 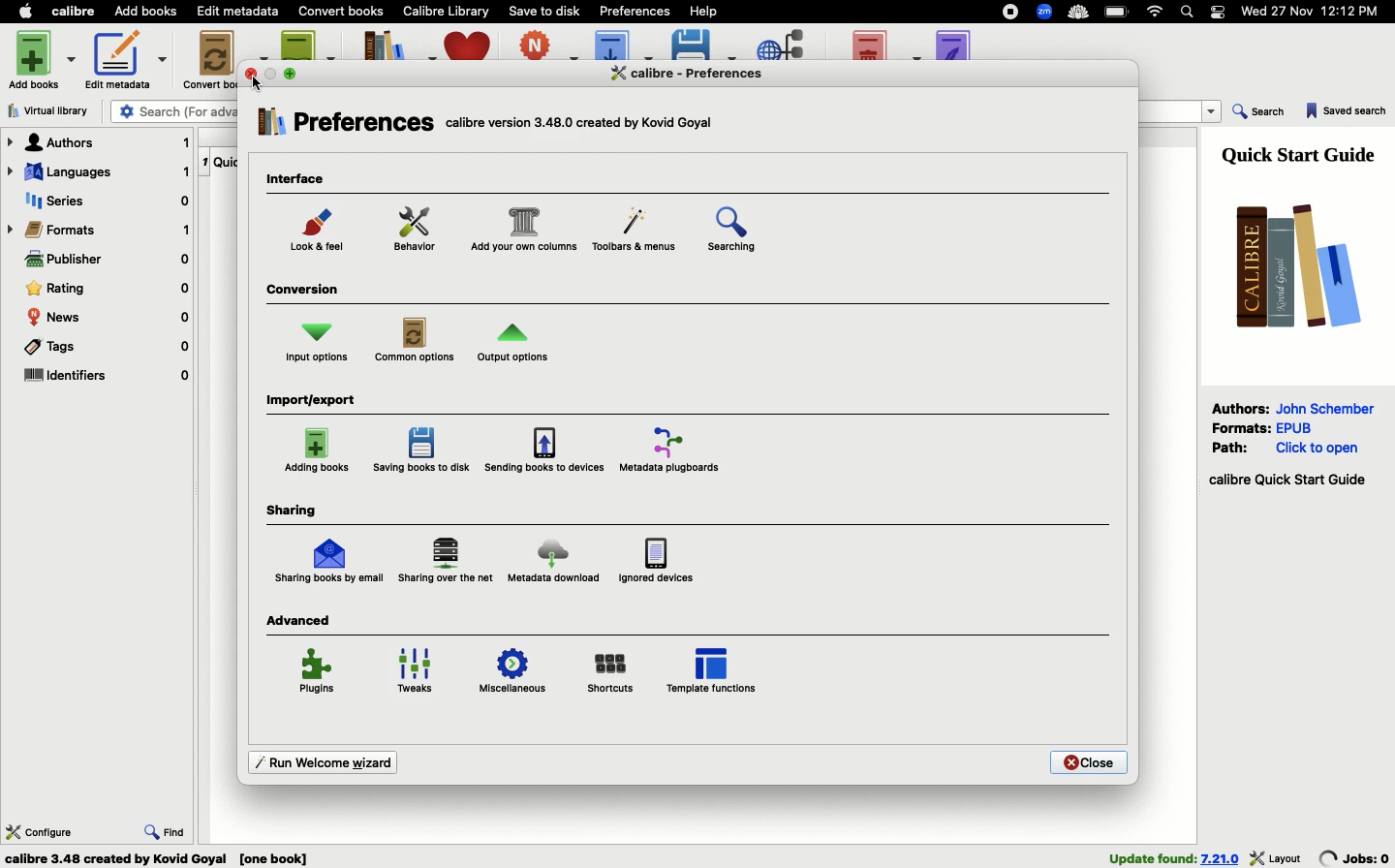 I want to click on Series, so click(x=104, y=202).